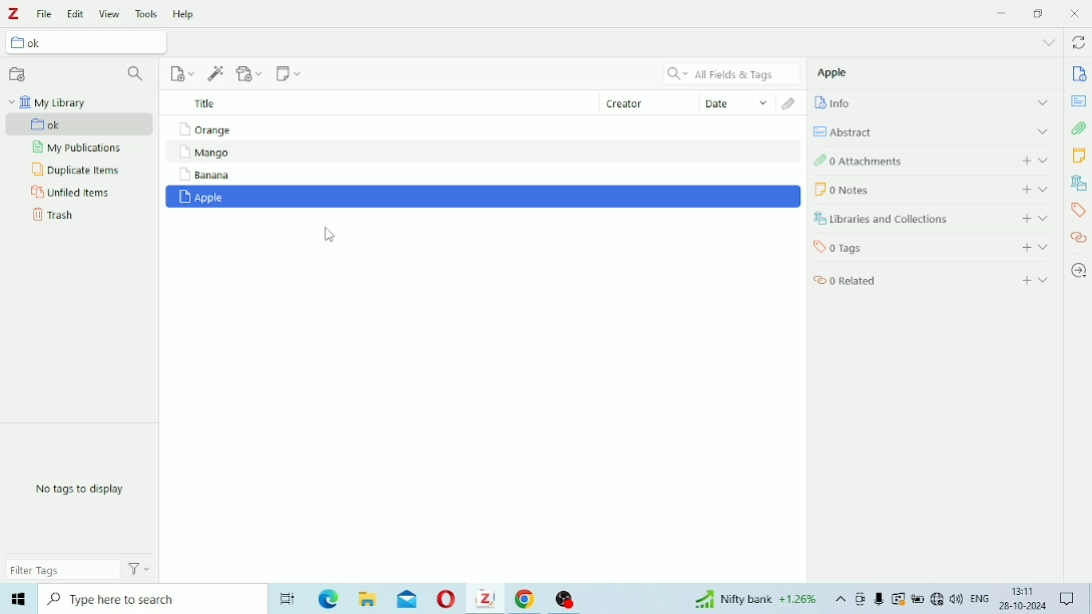 Image resolution: width=1092 pixels, height=614 pixels. Describe the element at coordinates (1002, 12) in the screenshot. I see `minimize` at that location.